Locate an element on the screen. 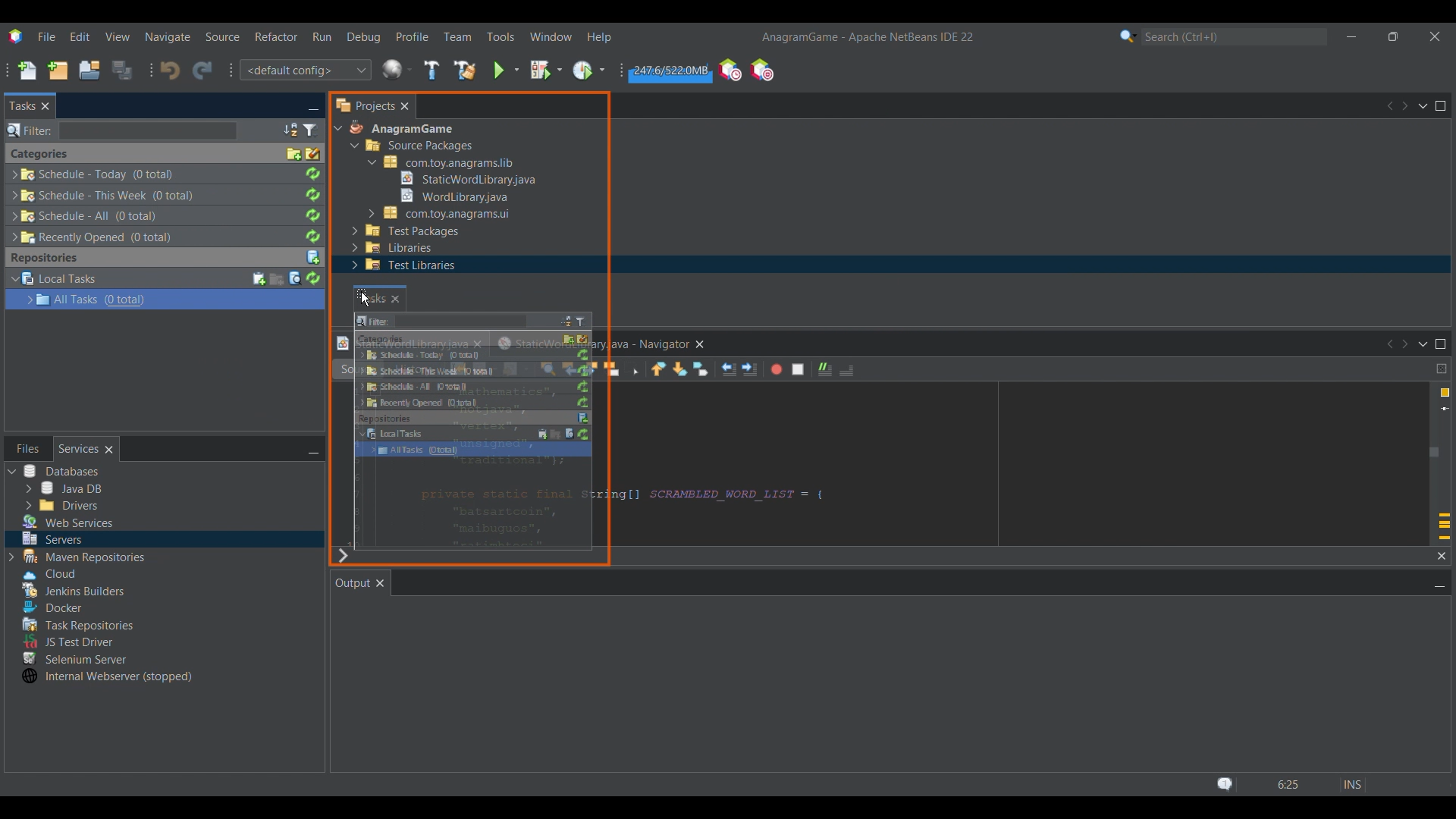 This screenshot has height=819, width=1456. Minimize is located at coordinates (1352, 37).